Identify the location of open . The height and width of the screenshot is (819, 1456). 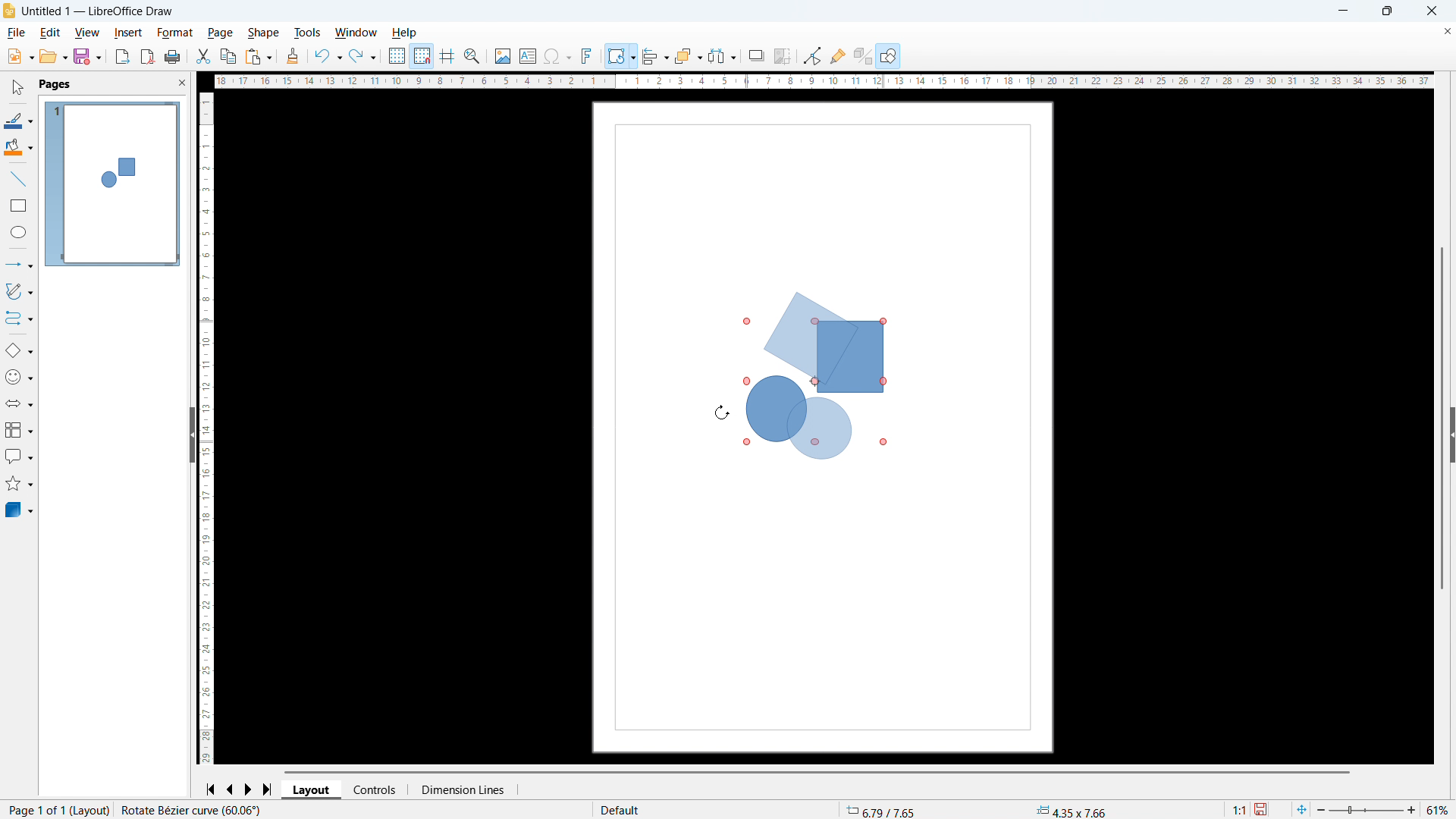
(53, 57).